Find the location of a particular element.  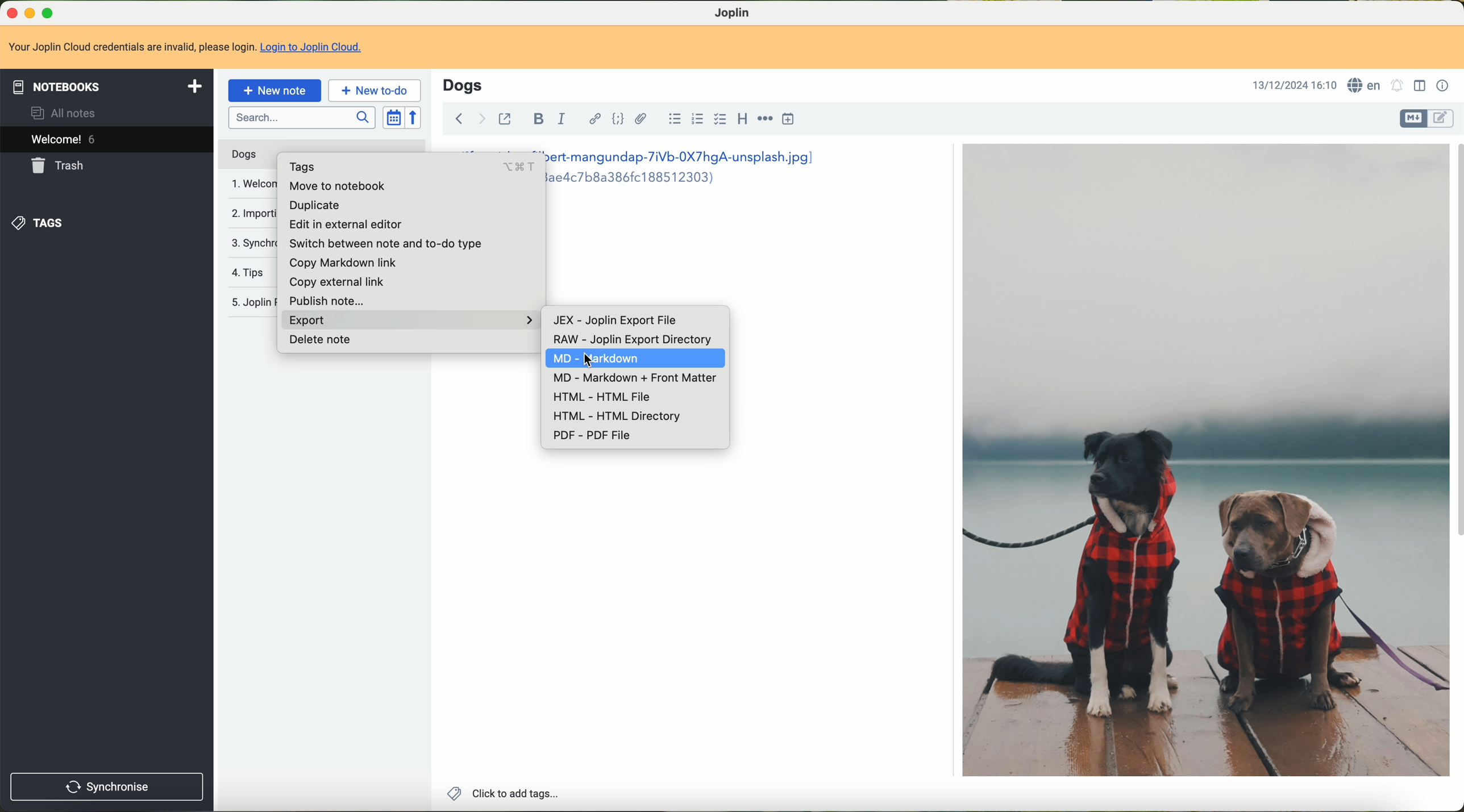

hyperlink is located at coordinates (592, 120).